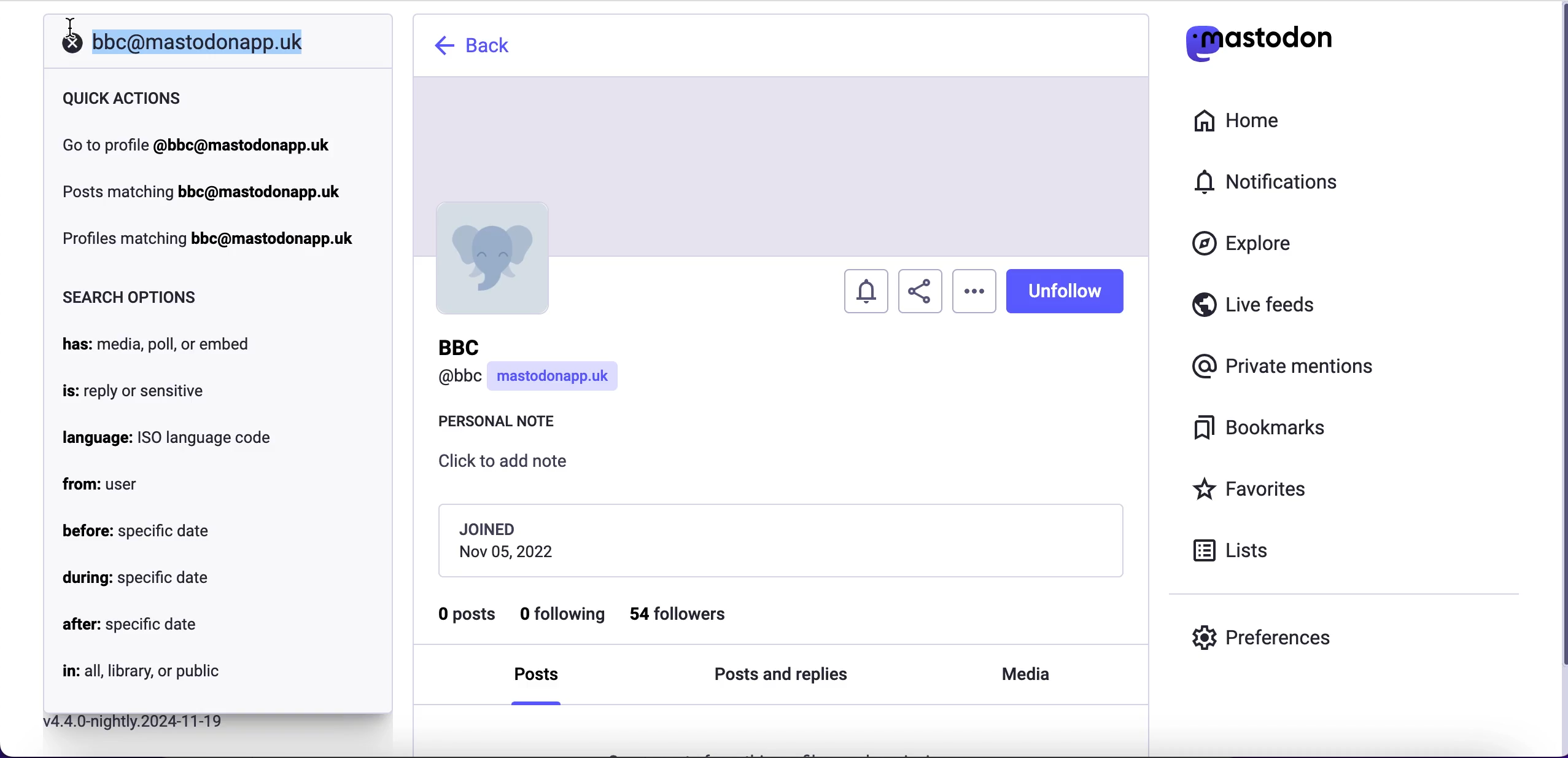  I want to click on search options, so click(133, 297).